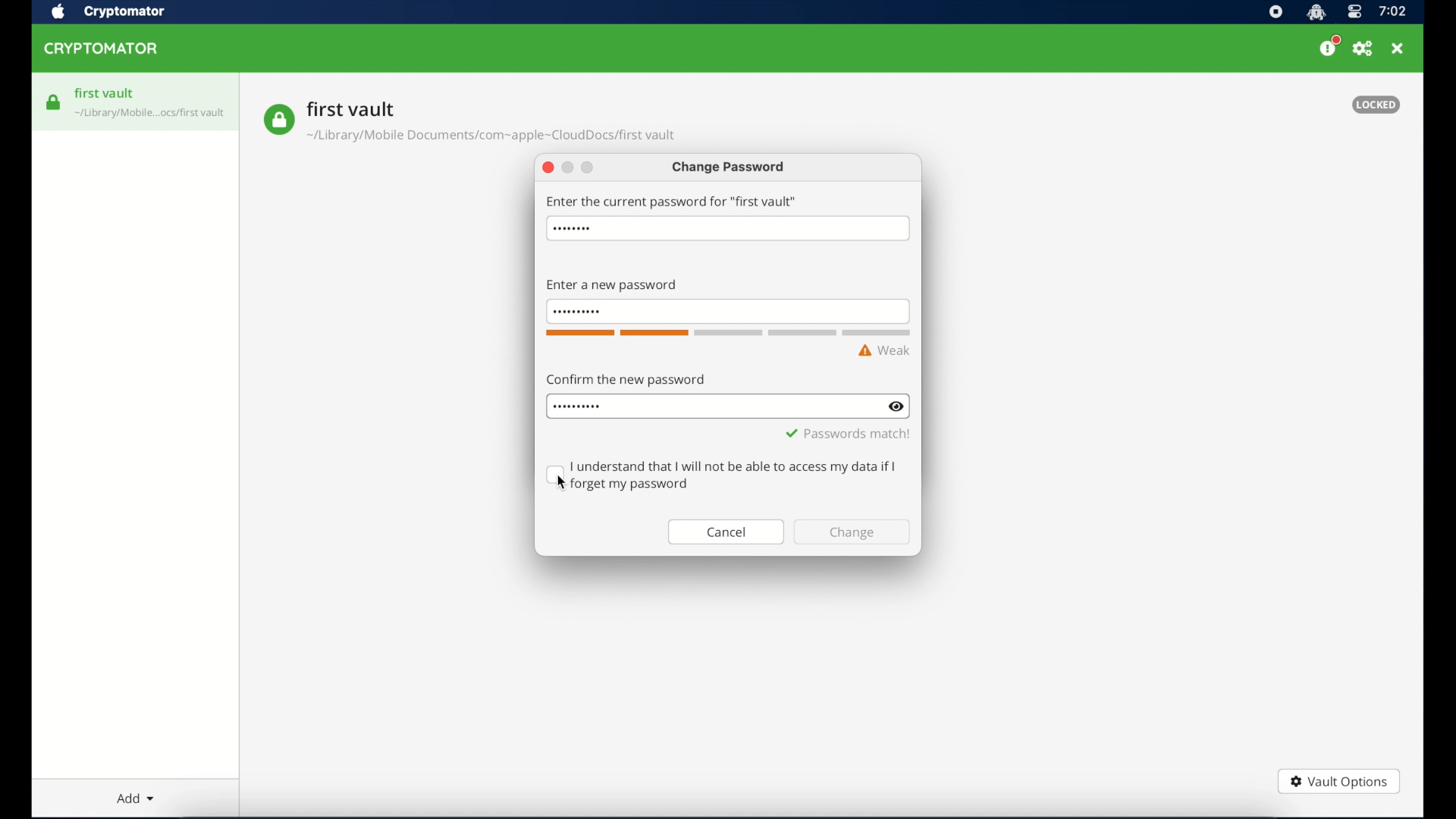 Image resolution: width=1456 pixels, height=819 pixels. I want to click on enter the current password for first vault, so click(671, 201).